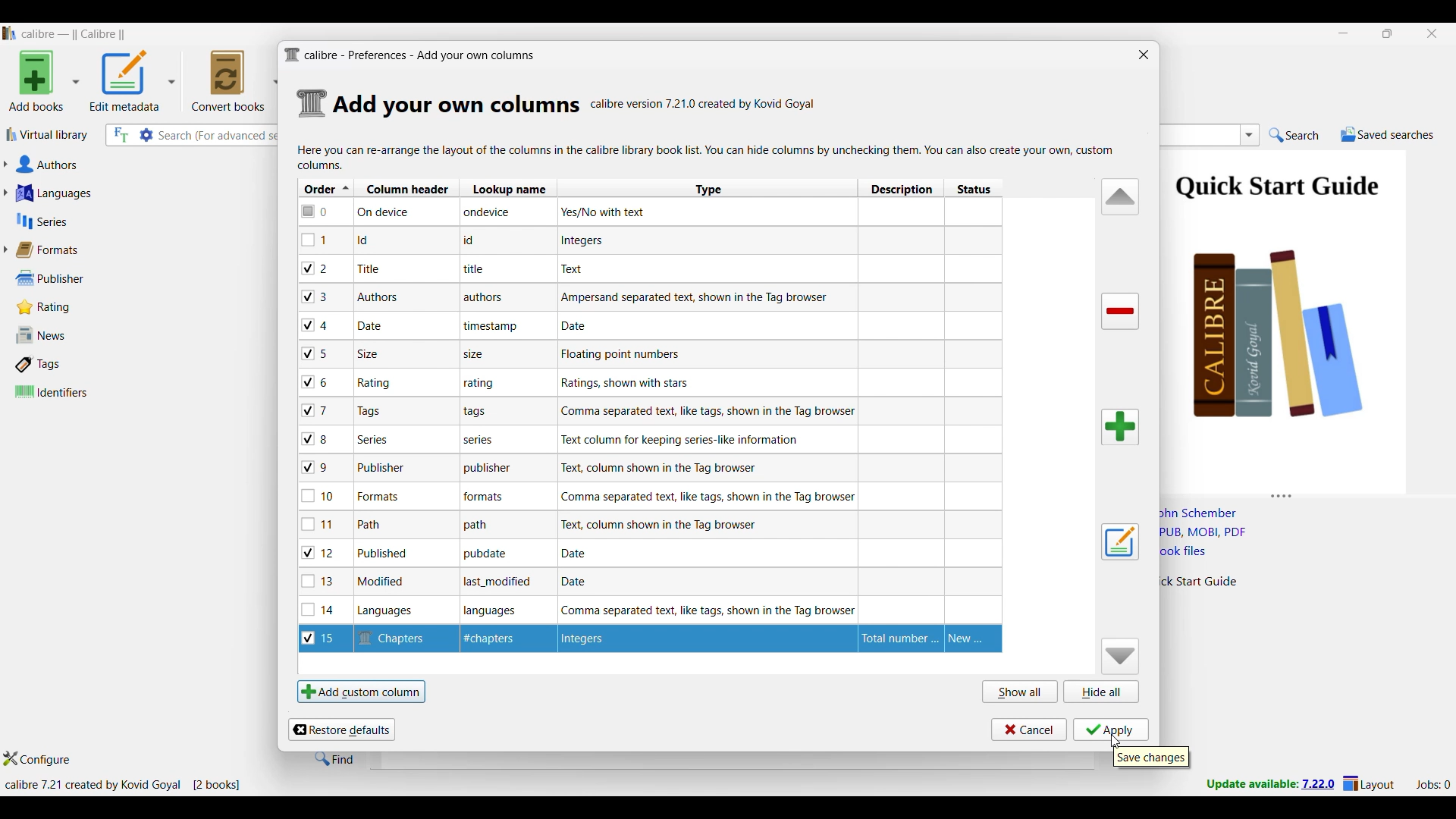 The height and width of the screenshot is (819, 1456). Describe the element at coordinates (146, 135) in the screenshot. I see `Advanced search` at that location.